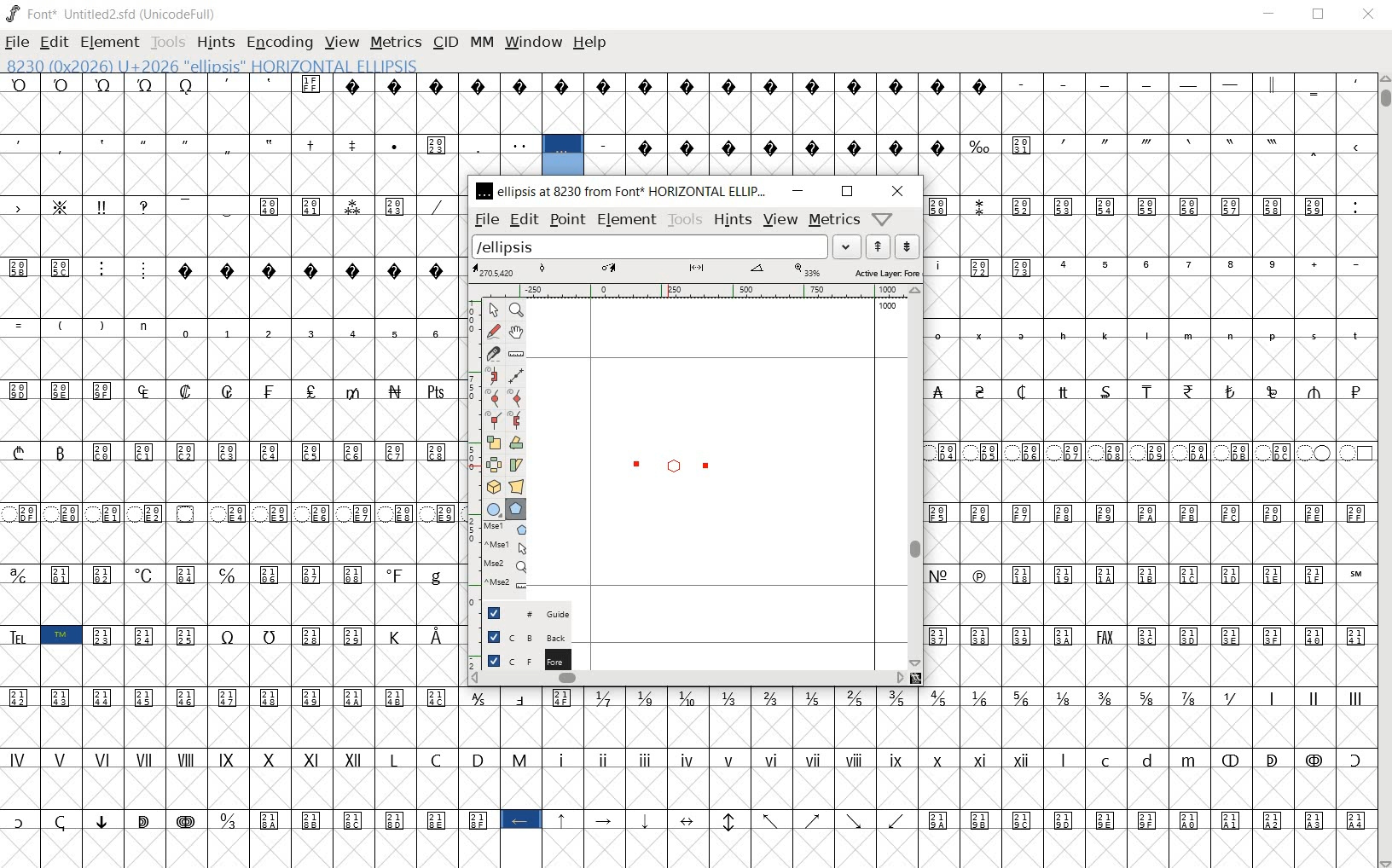 The image size is (1392, 868). I want to click on point, so click(566, 220).